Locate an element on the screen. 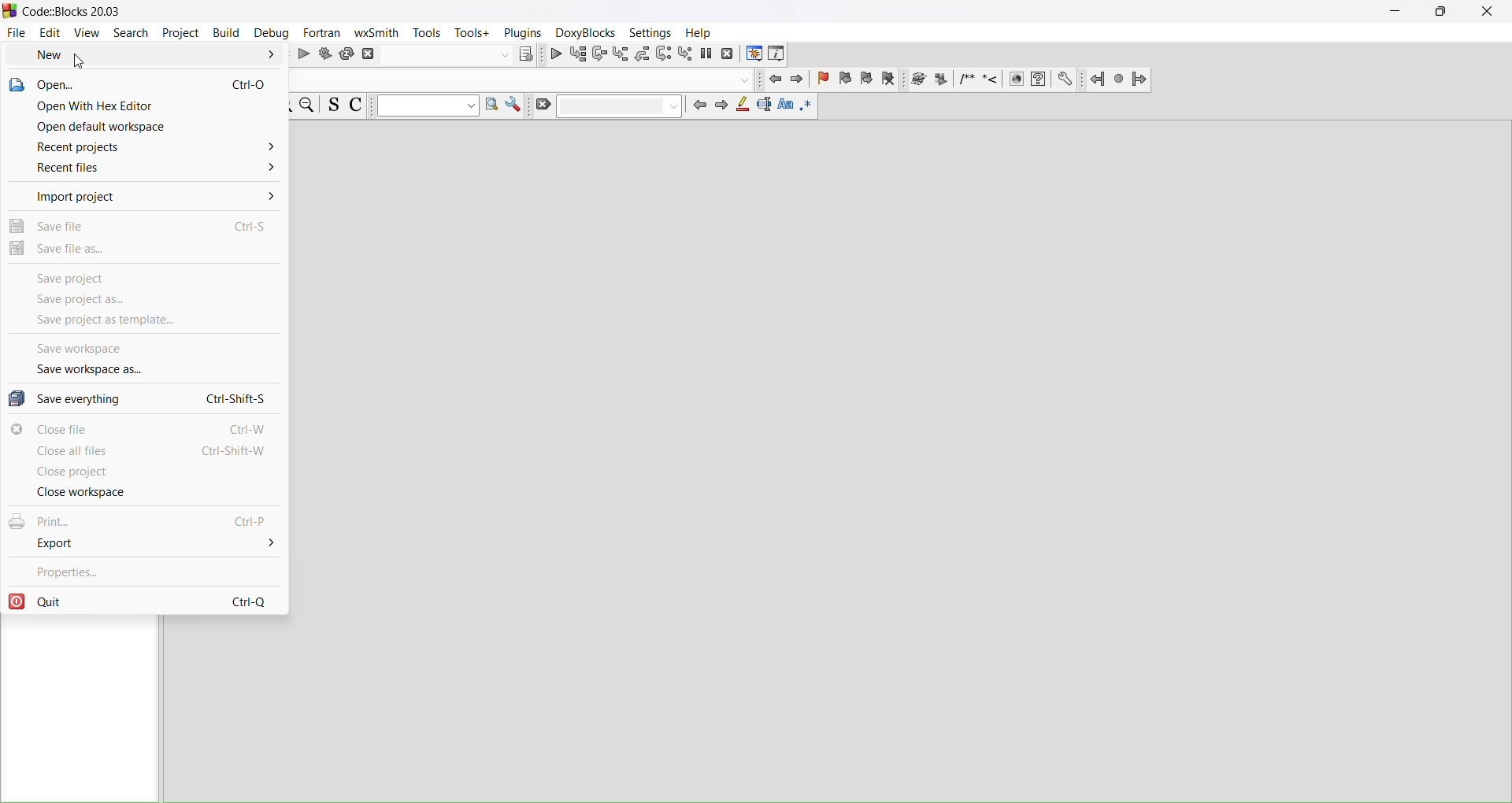  match case is located at coordinates (785, 108).